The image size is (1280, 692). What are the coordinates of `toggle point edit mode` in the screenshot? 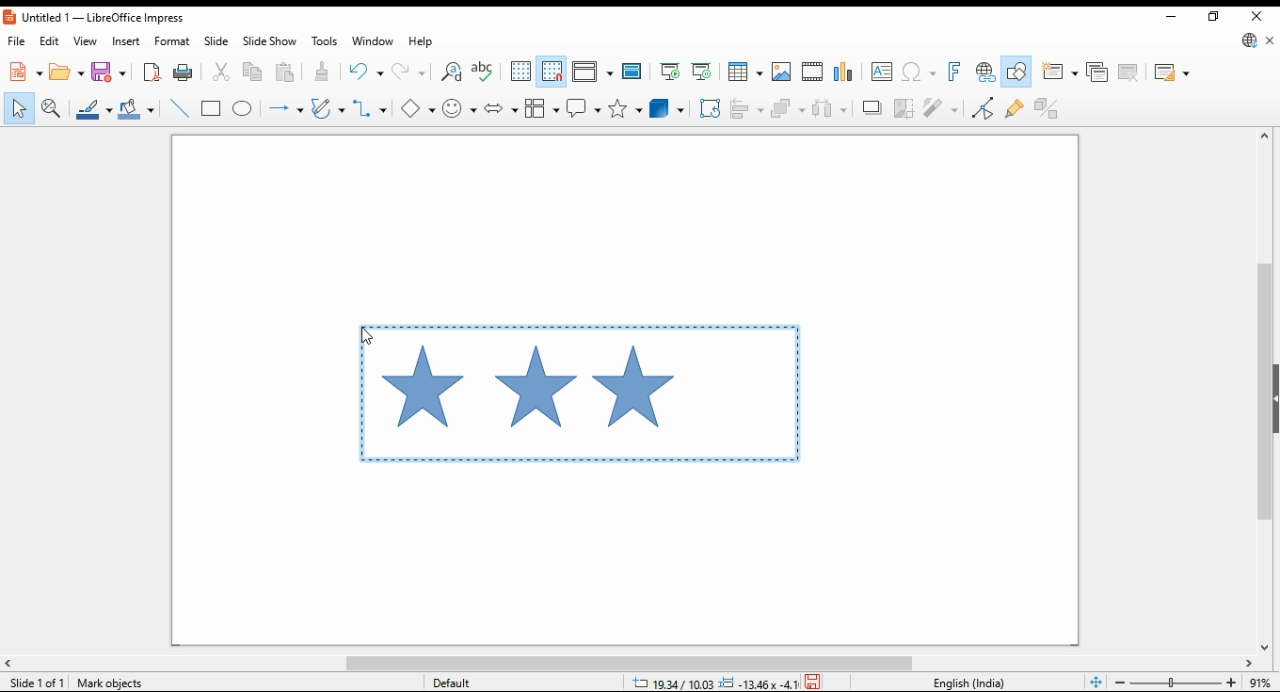 It's located at (982, 107).